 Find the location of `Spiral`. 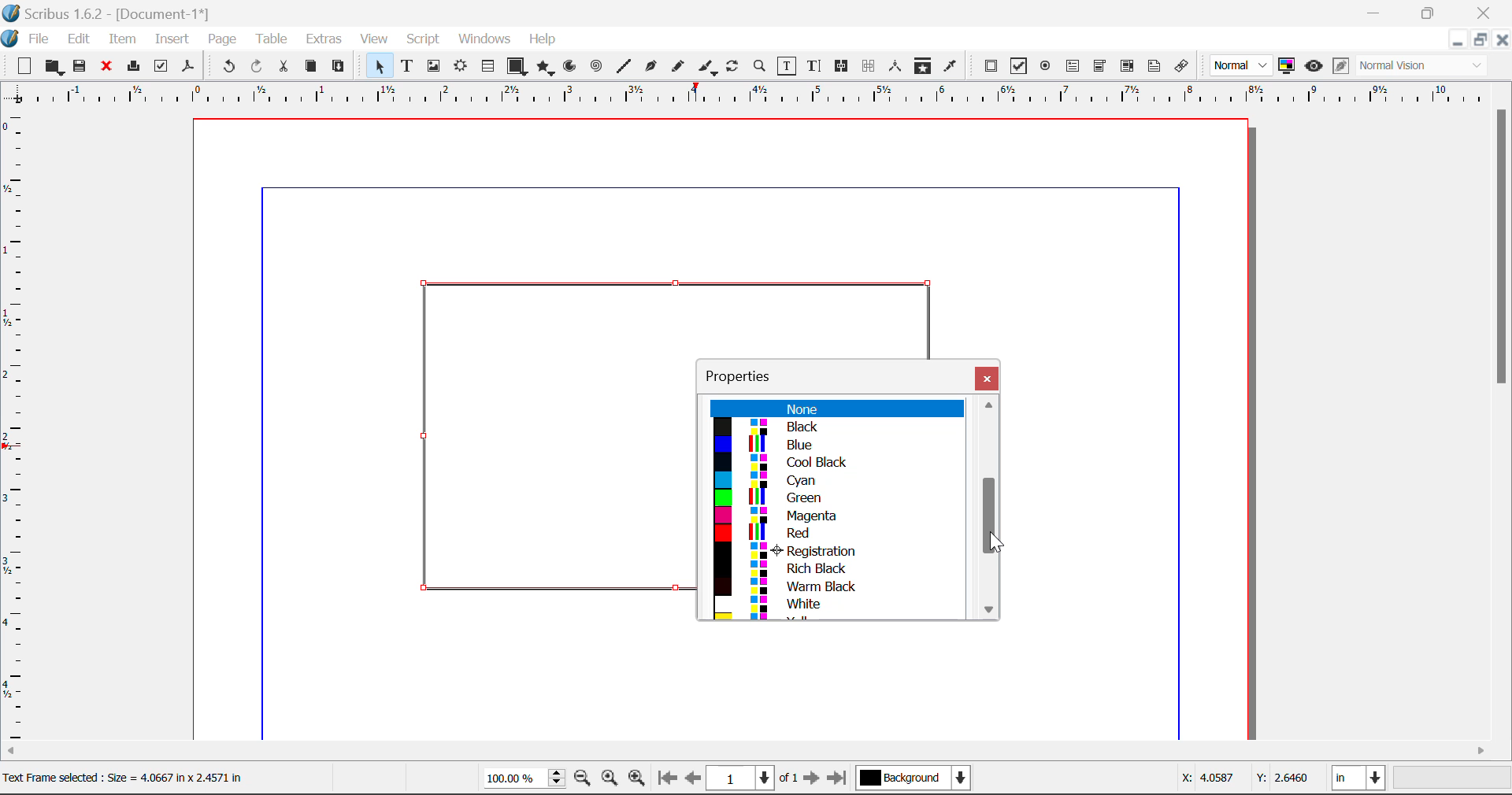

Spiral is located at coordinates (596, 66).